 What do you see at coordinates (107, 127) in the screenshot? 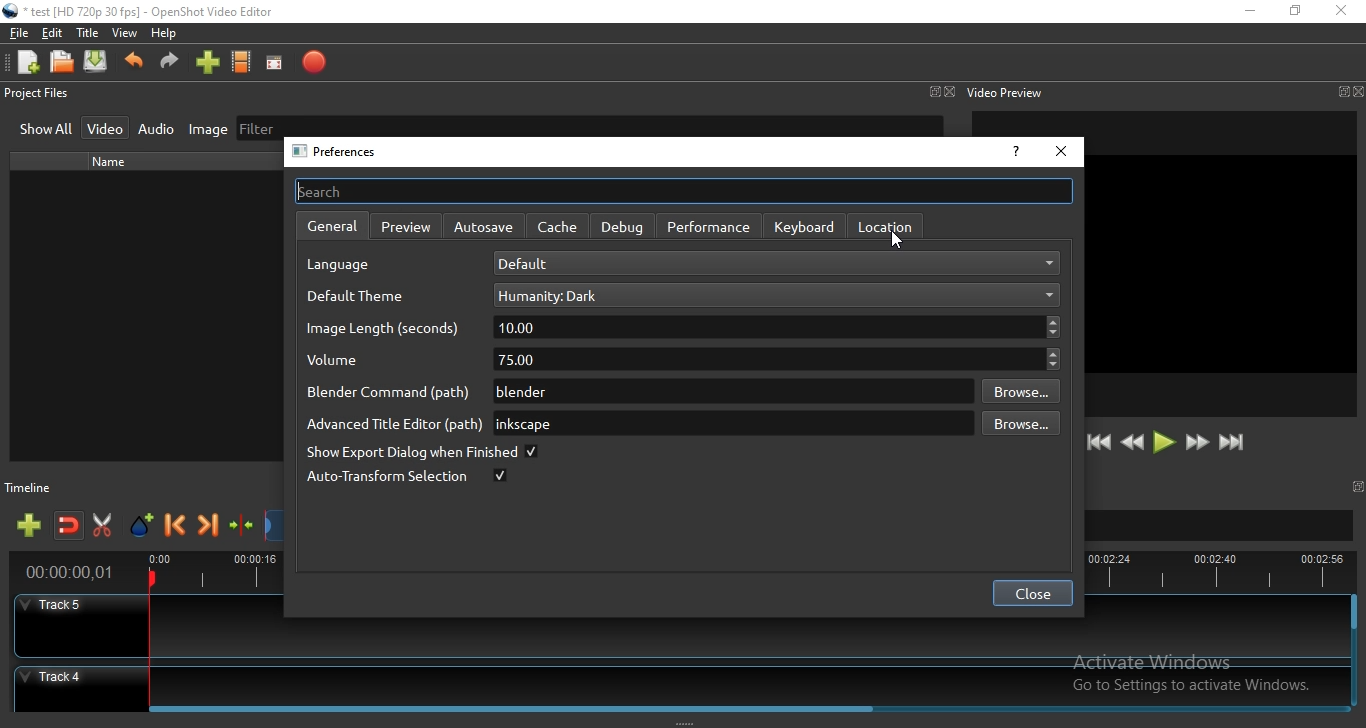
I see `Video` at bounding box center [107, 127].